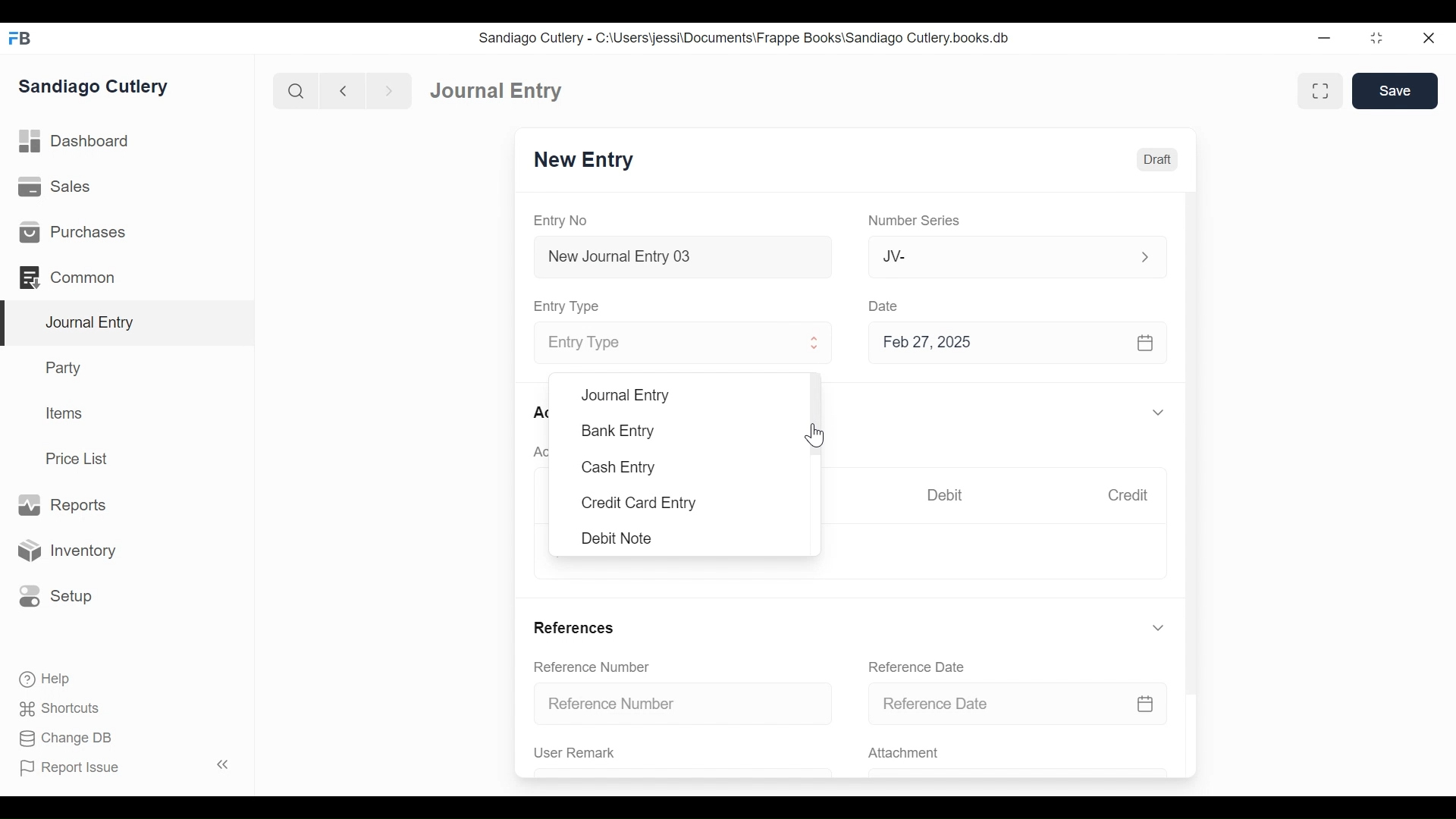 Image resolution: width=1456 pixels, height=819 pixels. What do you see at coordinates (341, 91) in the screenshot?
I see `Navigate back` at bounding box center [341, 91].